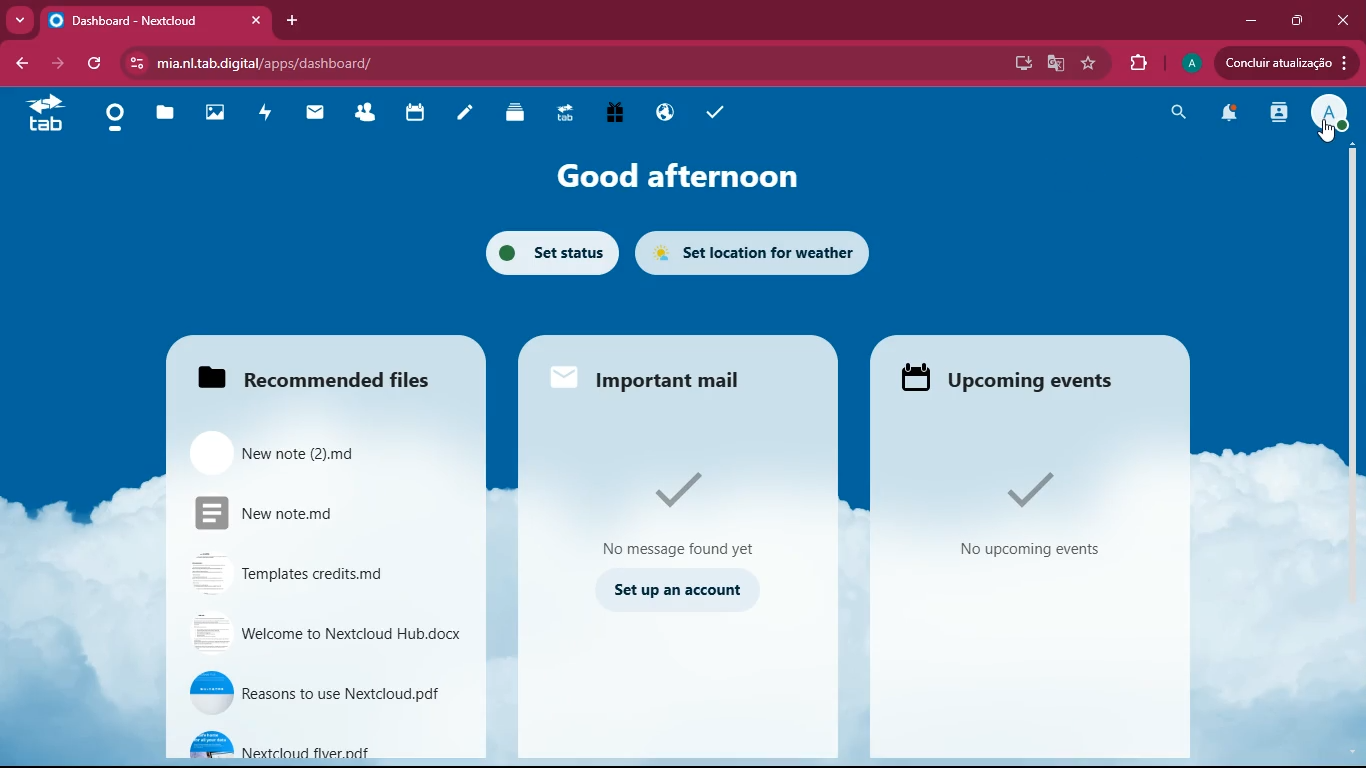  What do you see at coordinates (359, 115) in the screenshot?
I see `friends` at bounding box center [359, 115].